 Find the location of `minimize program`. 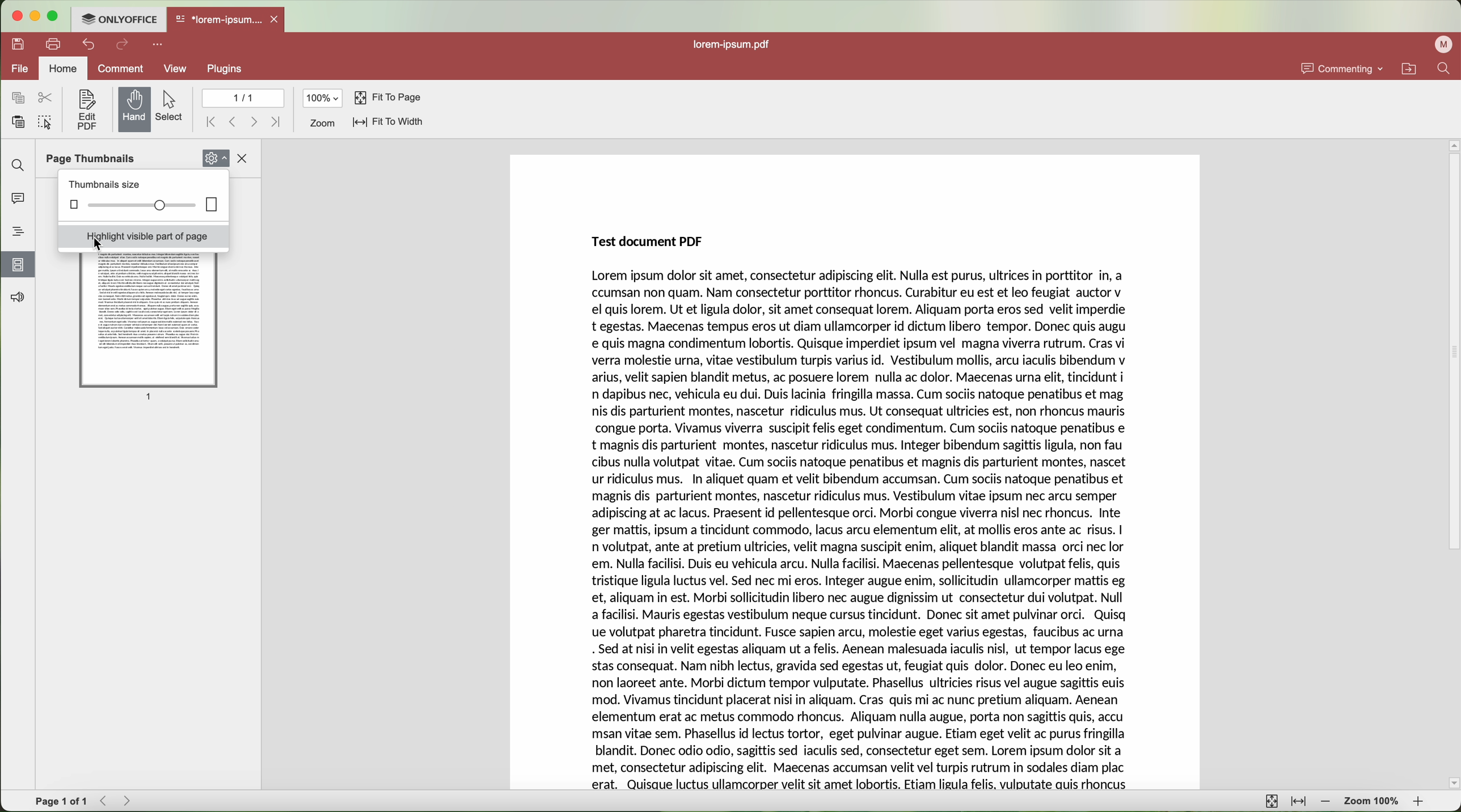

minimize program is located at coordinates (33, 16).